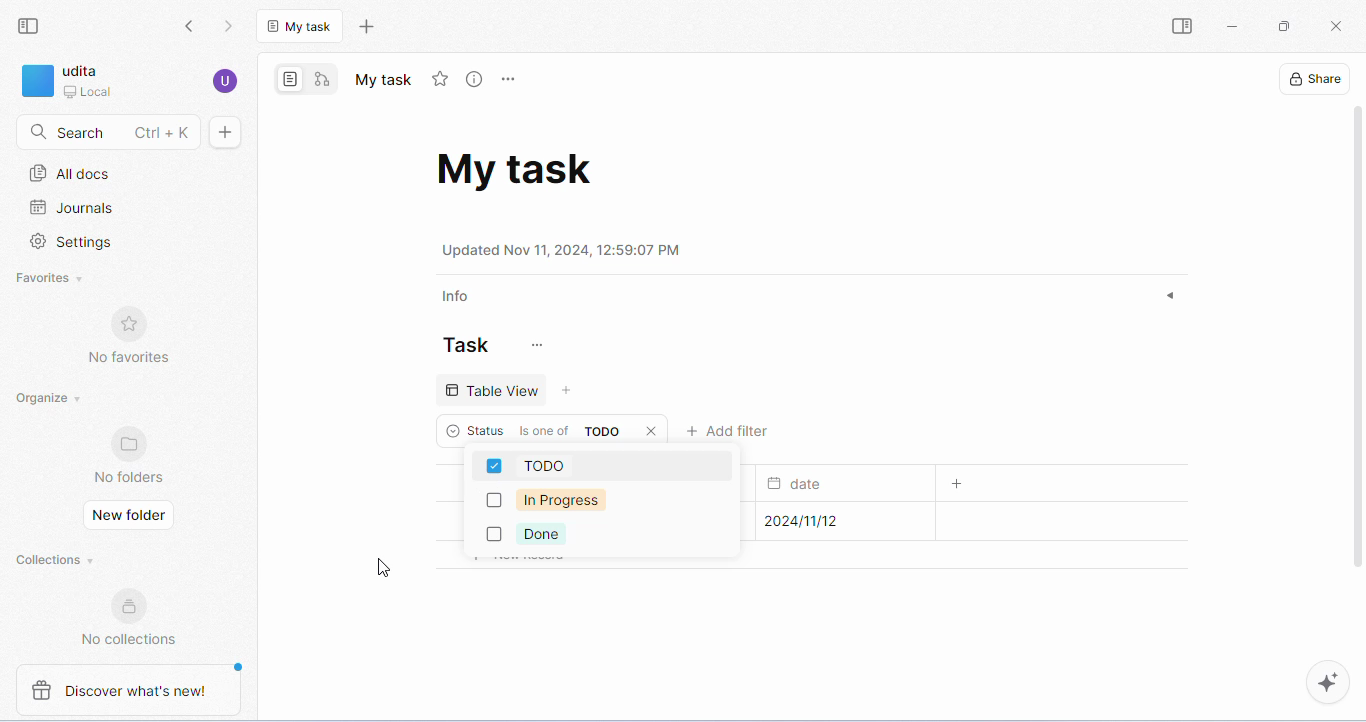  Describe the element at coordinates (52, 280) in the screenshot. I see `favorites` at that location.